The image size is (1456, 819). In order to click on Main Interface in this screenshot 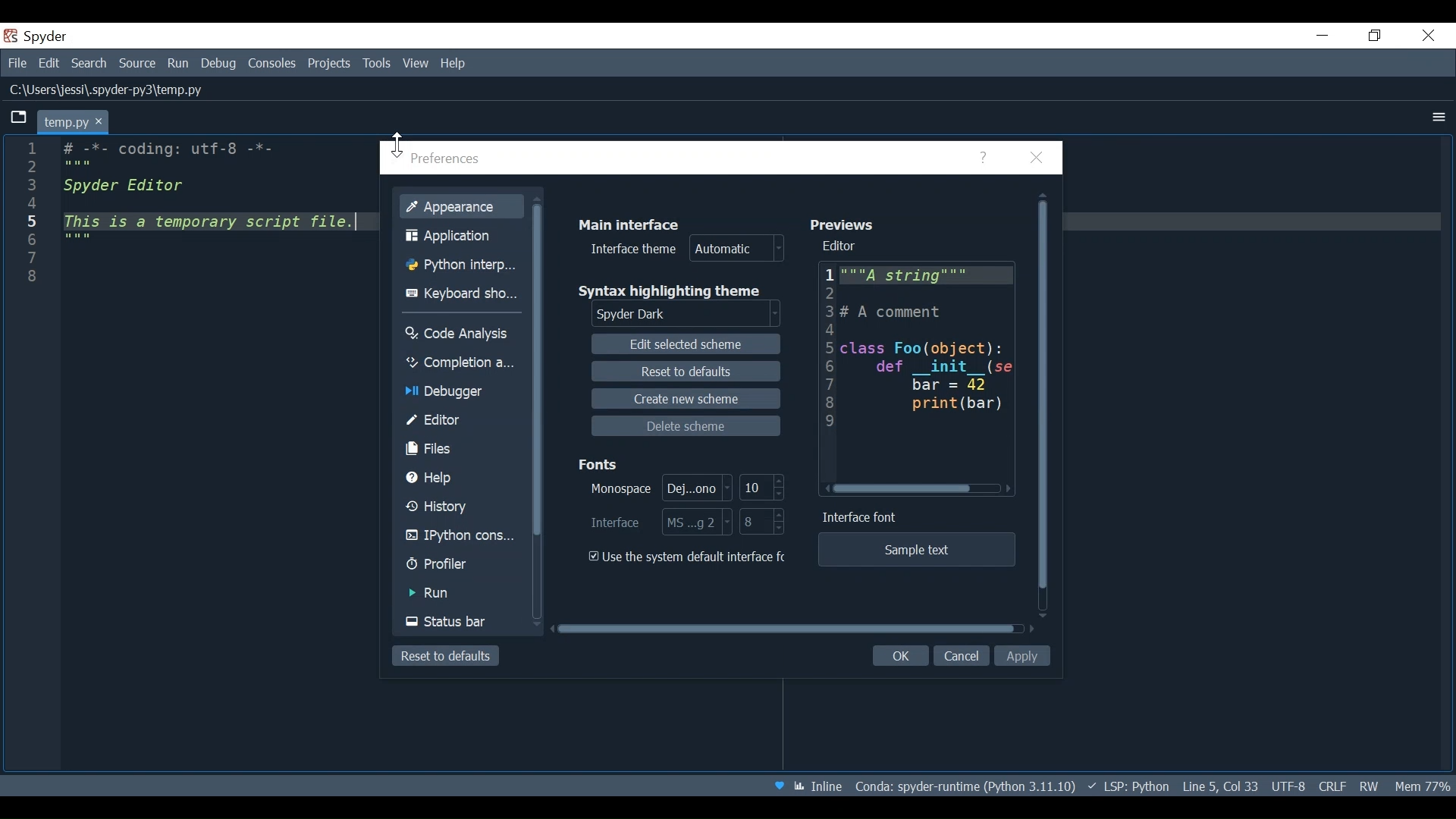, I will do `click(627, 224)`.